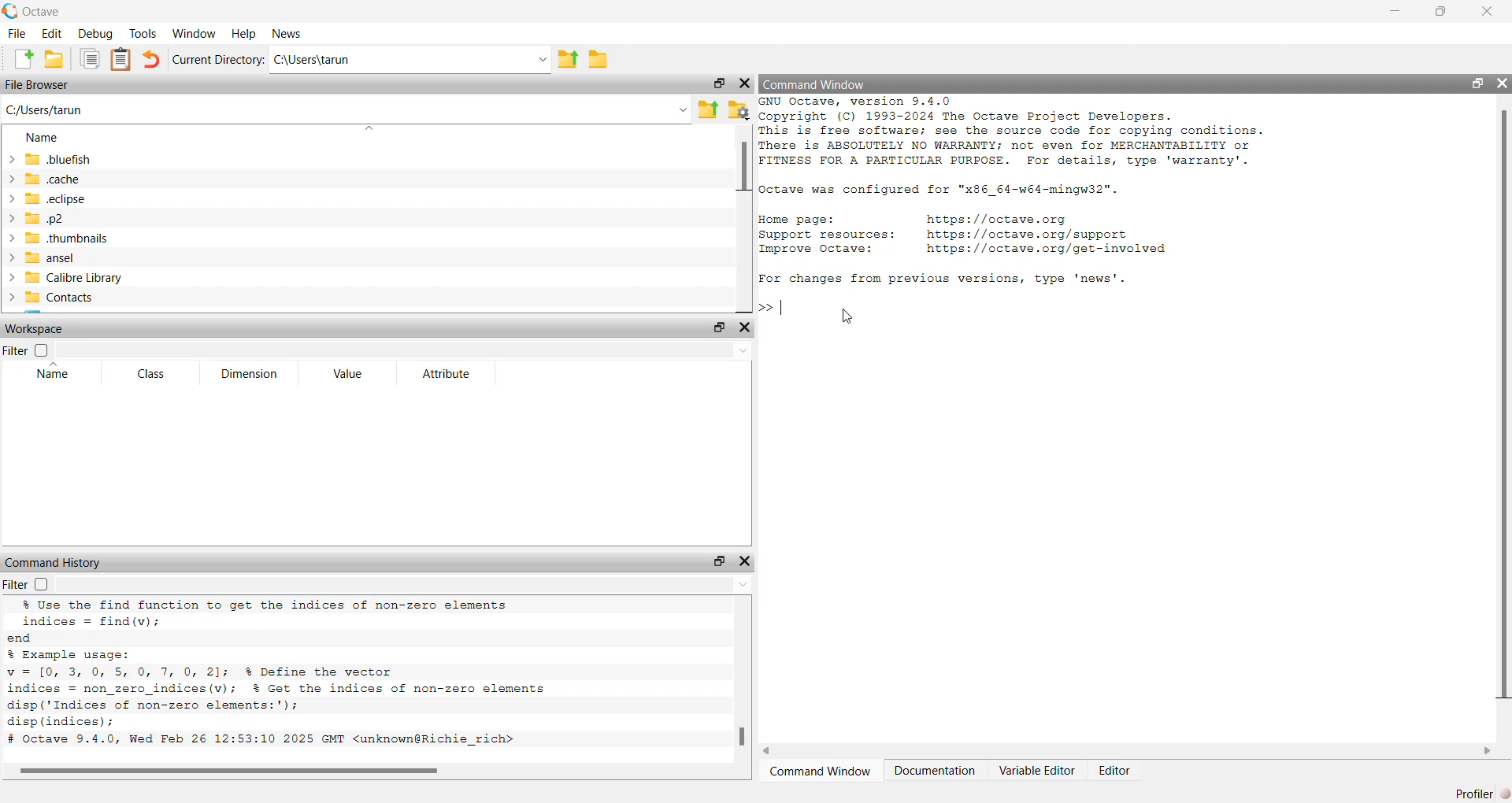 This screenshot has width=1512, height=803. What do you see at coordinates (50, 159) in the screenshot?
I see `bluefish` at bounding box center [50, 159].